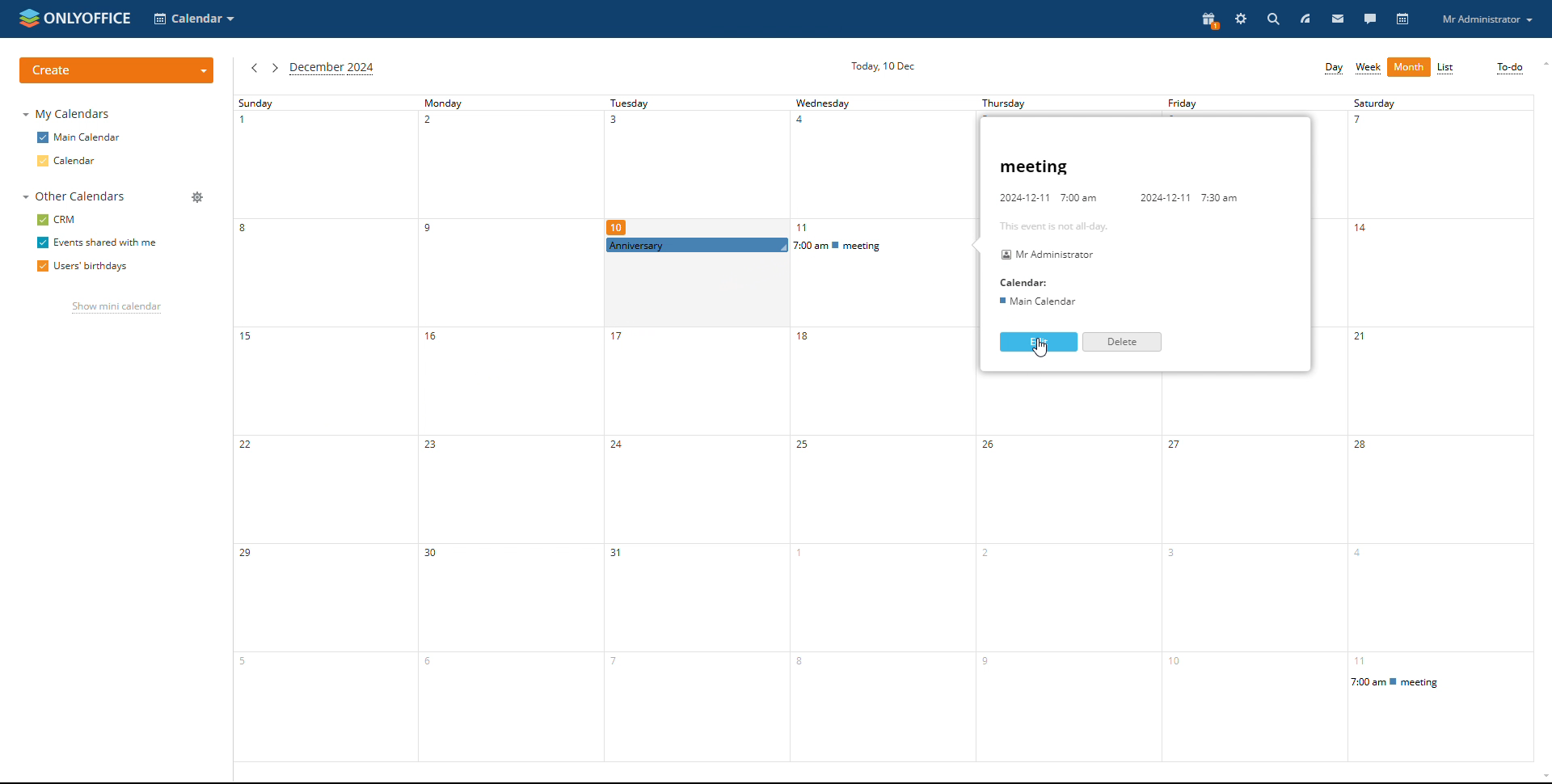 The height and width of the screenshot is (784, 1552). I want to click on present, so click(1209, 21).